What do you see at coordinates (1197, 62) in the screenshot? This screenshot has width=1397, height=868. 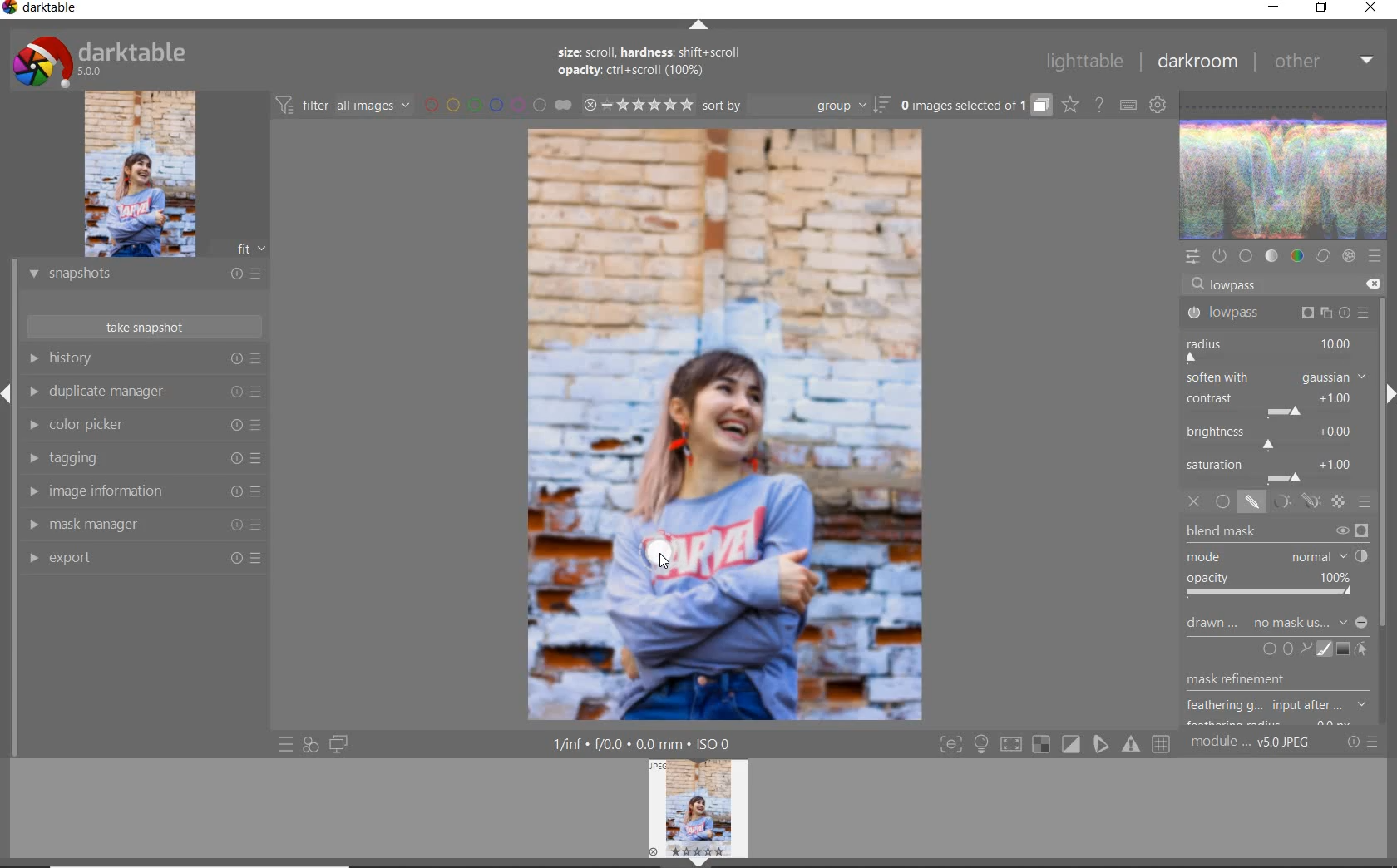 I see `darkroom` at bounding box center [1197, 62].